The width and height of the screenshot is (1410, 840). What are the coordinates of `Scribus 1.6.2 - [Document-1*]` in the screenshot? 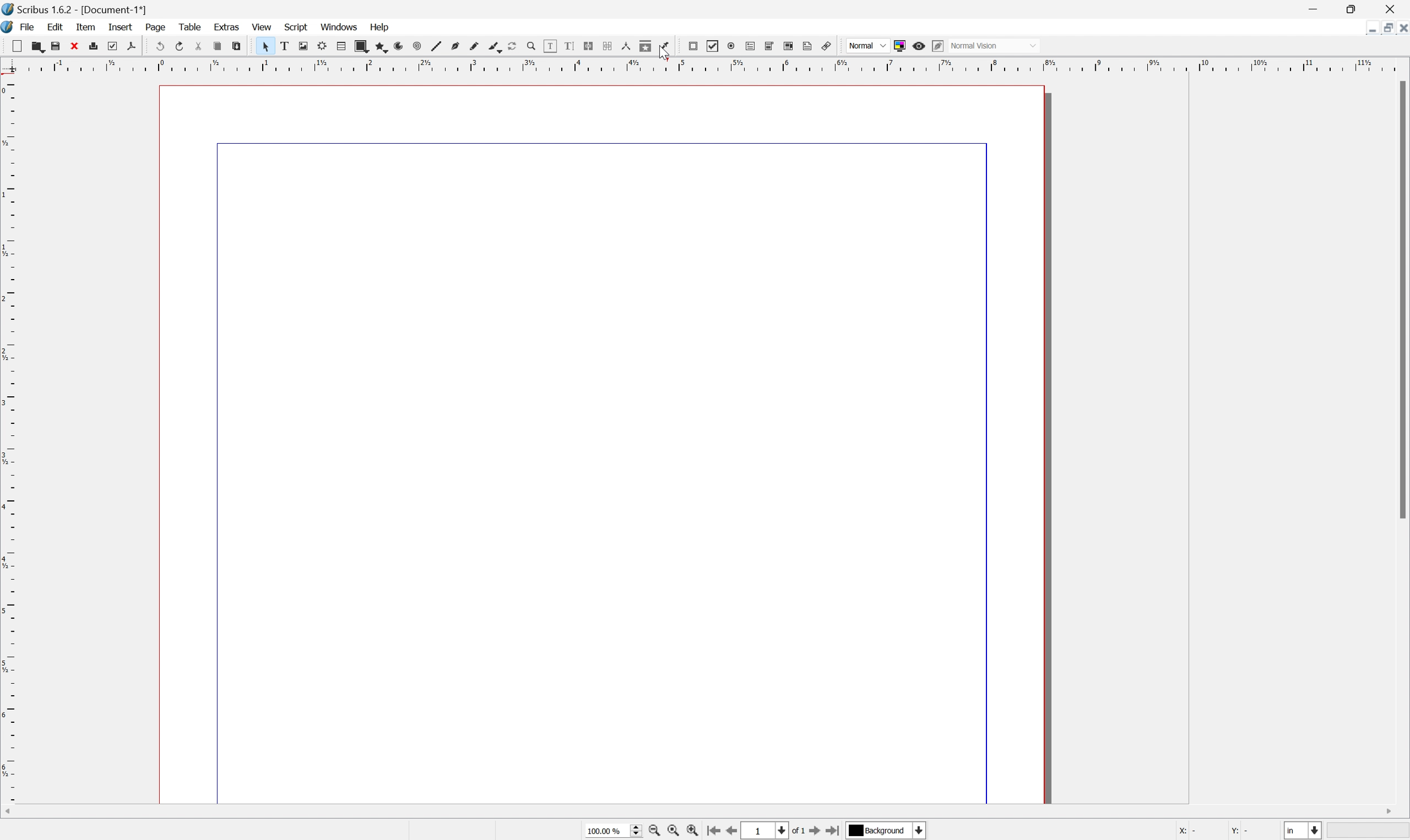 It's located at (81, 9).